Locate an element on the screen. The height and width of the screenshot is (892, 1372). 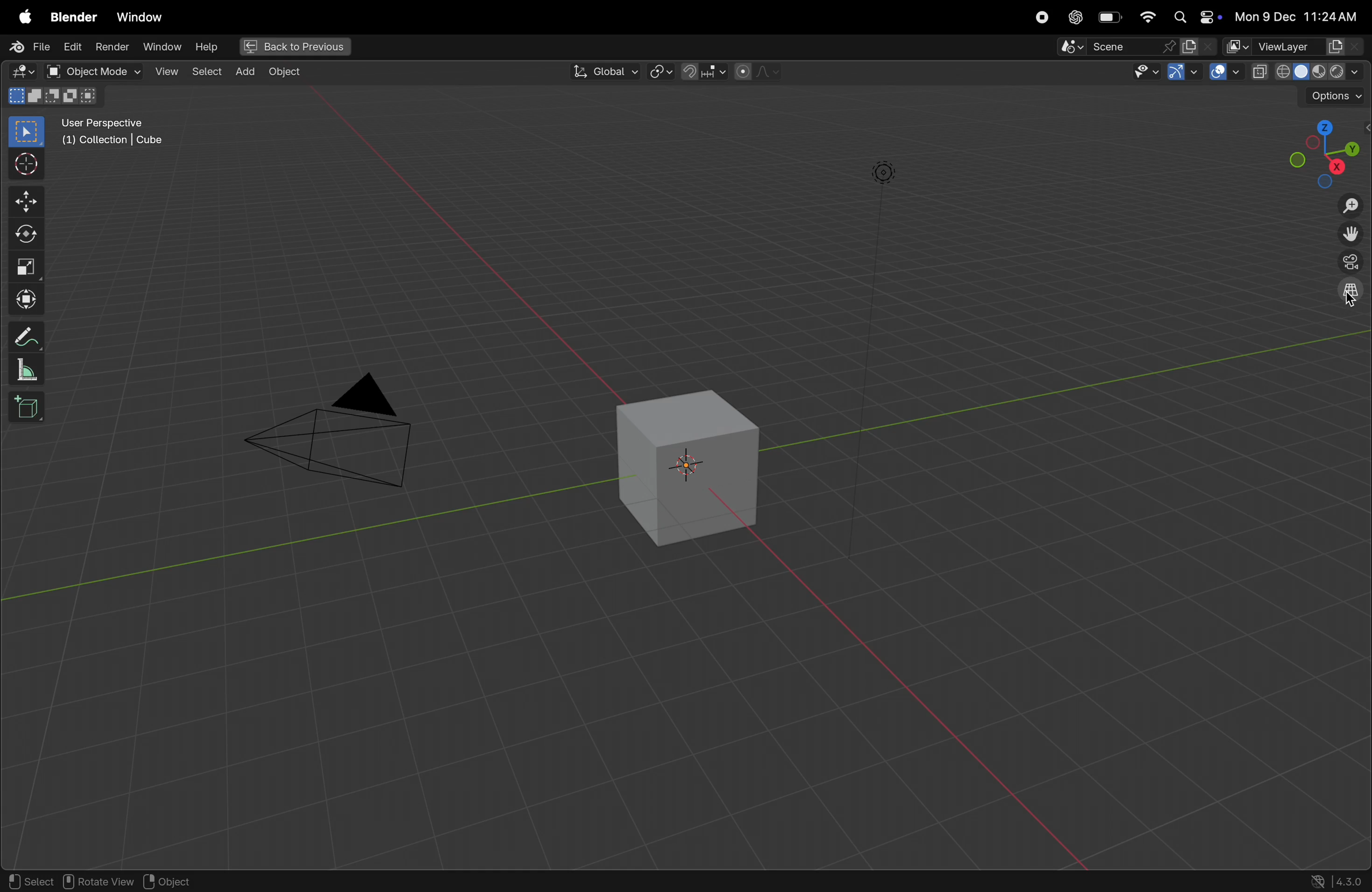
date and time is located at coordinates (1301, 13).